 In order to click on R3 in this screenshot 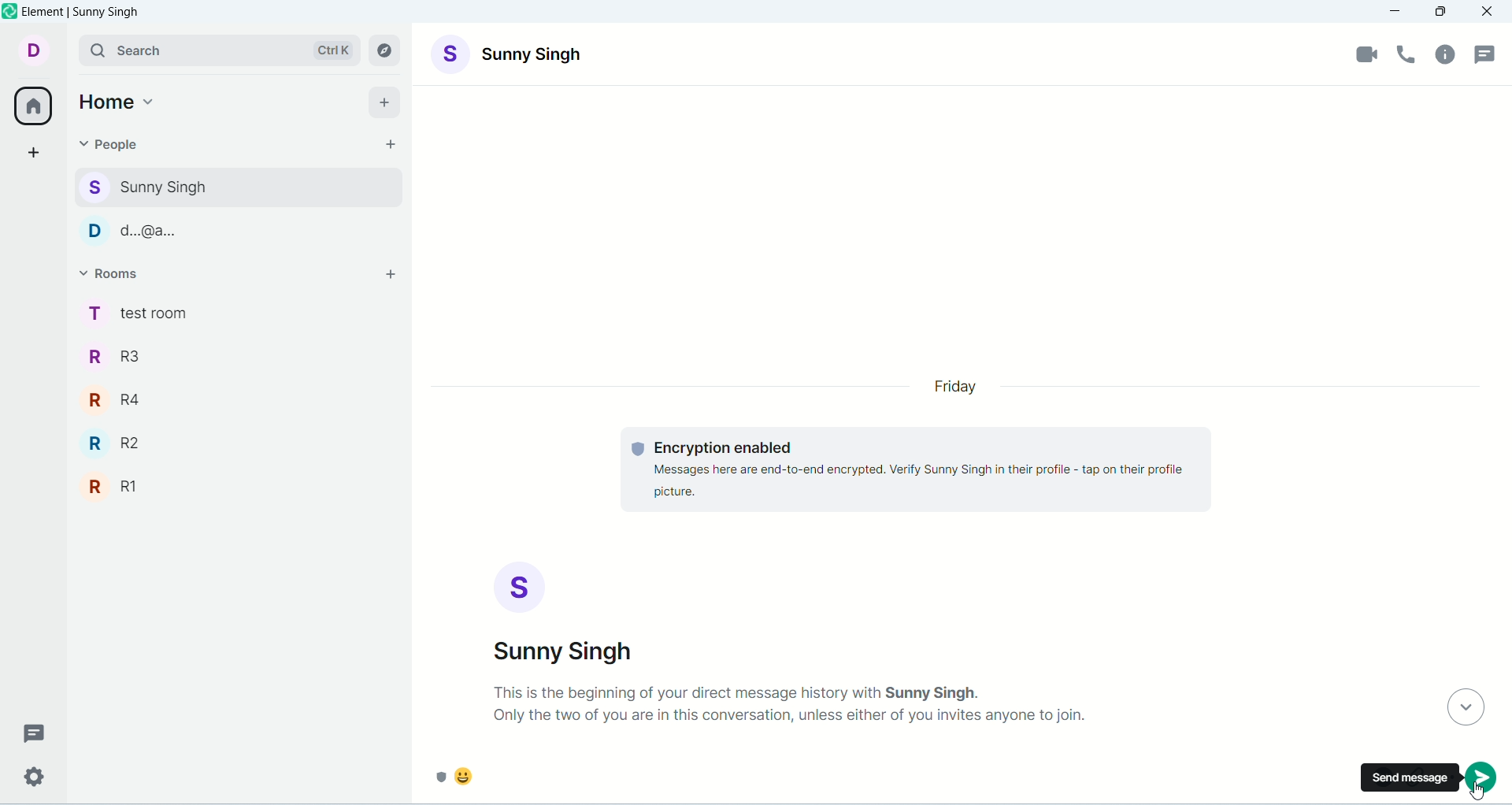, I will do `click(236, 354)`.